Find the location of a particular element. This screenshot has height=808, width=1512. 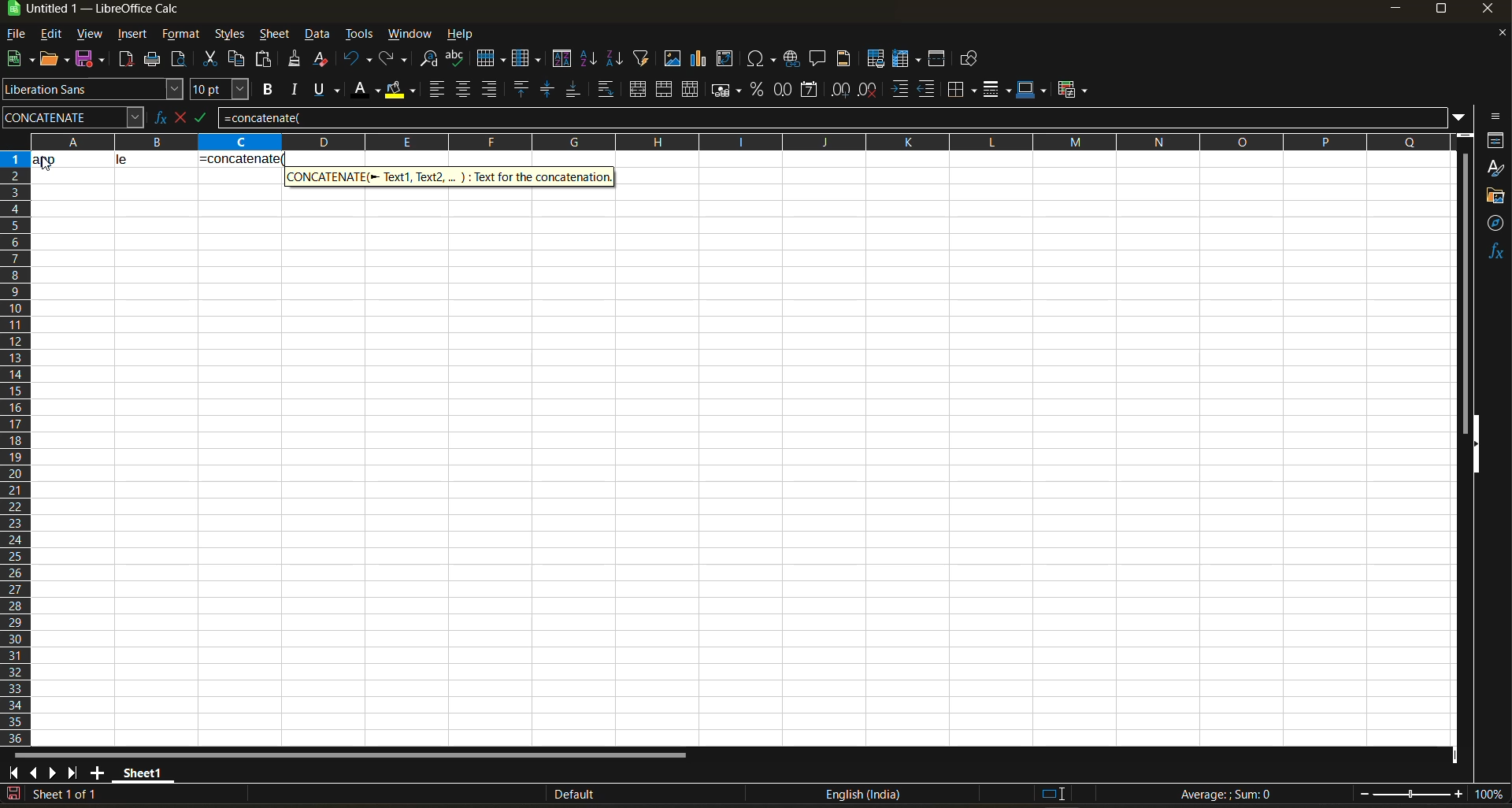

sheet number is located at coordinates (69, 794).